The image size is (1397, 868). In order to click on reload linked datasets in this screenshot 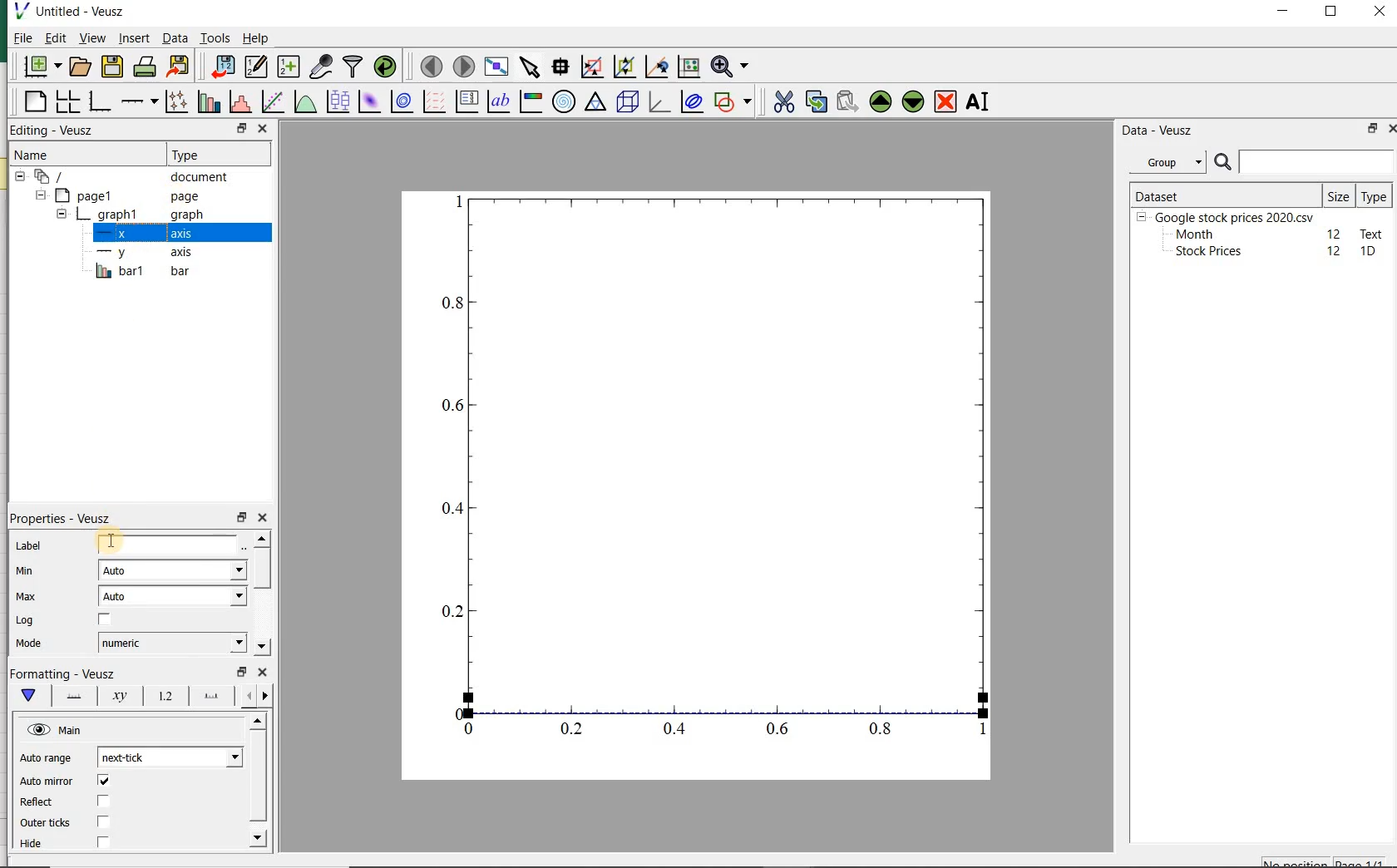, I will do `click(388, 67)`.